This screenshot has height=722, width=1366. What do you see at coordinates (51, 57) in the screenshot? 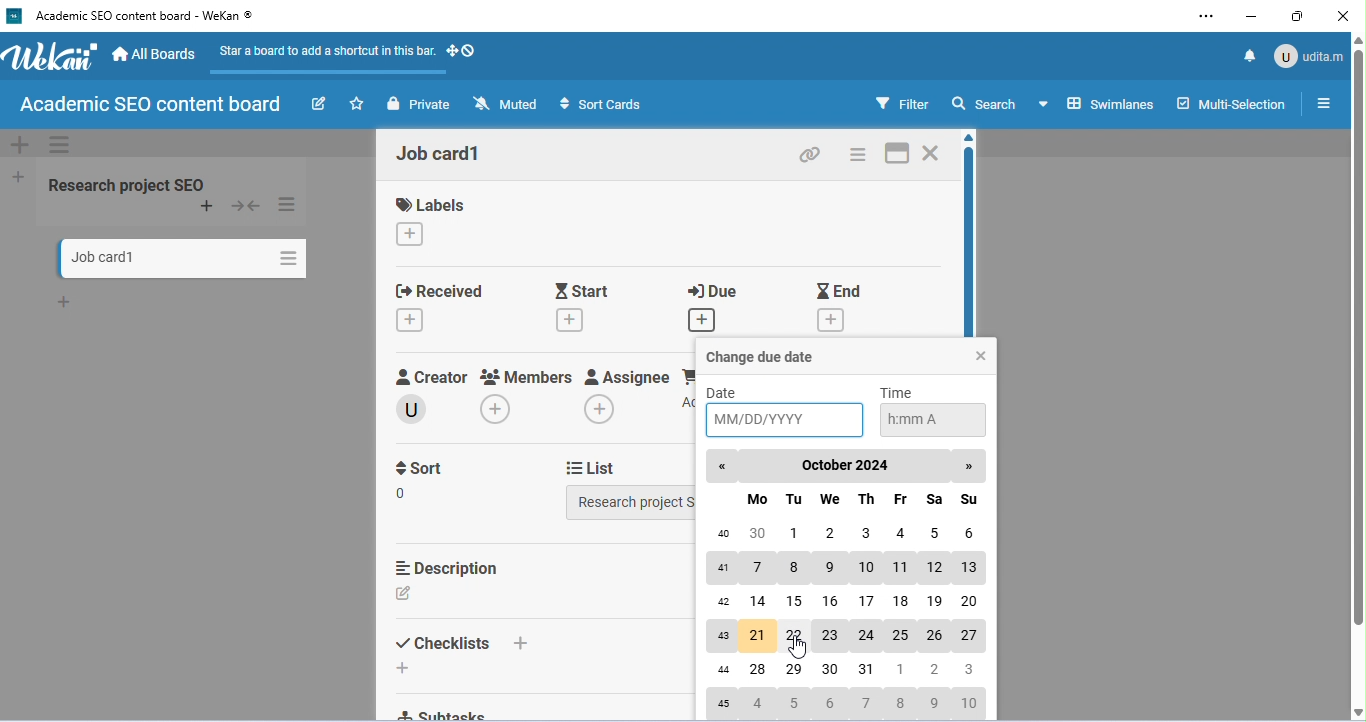
I see `WeKan logo` at bounding box center [51, 57].